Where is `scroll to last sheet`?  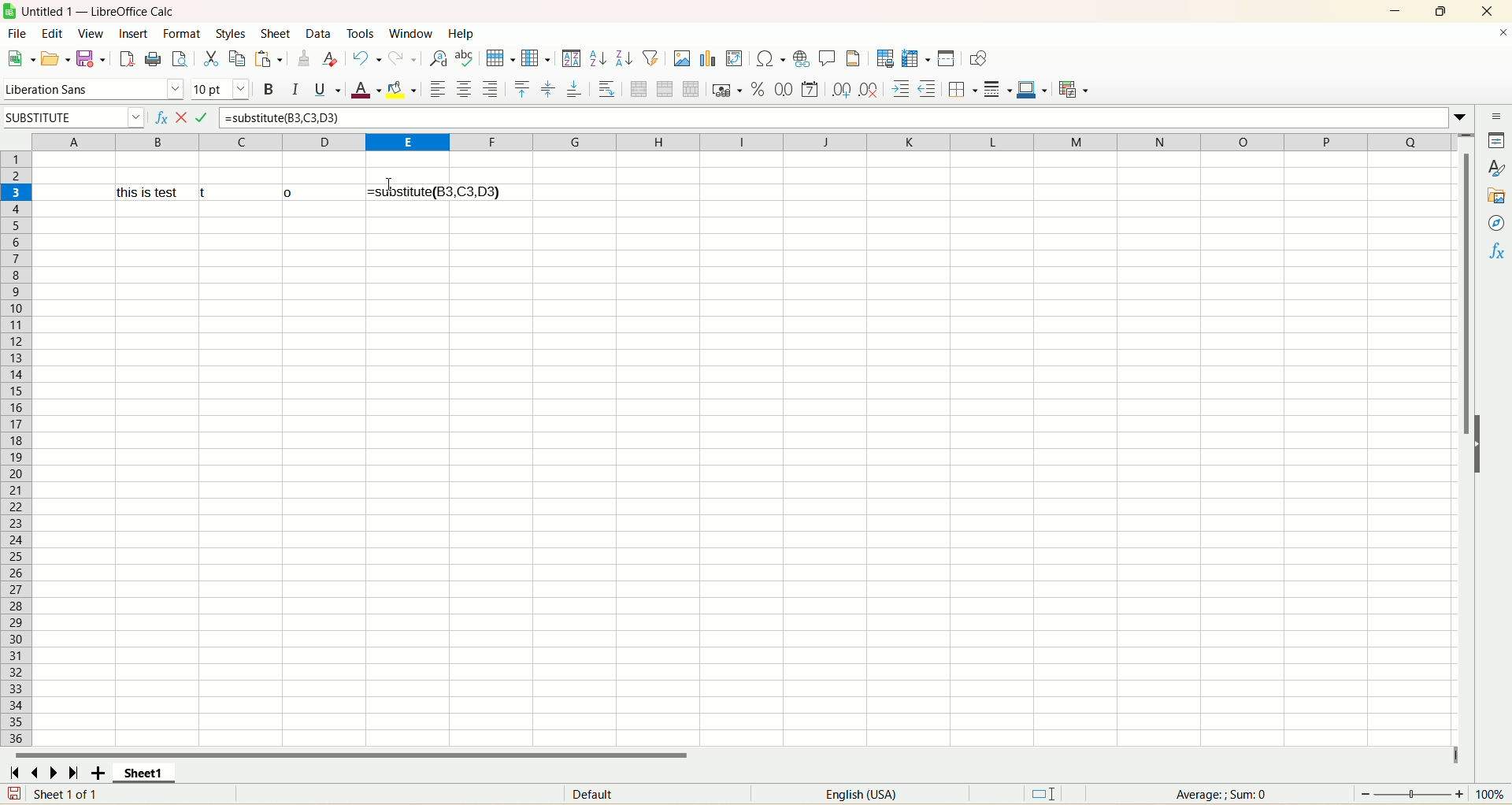
scroll to last sheet is located at coordinates (70, 769).